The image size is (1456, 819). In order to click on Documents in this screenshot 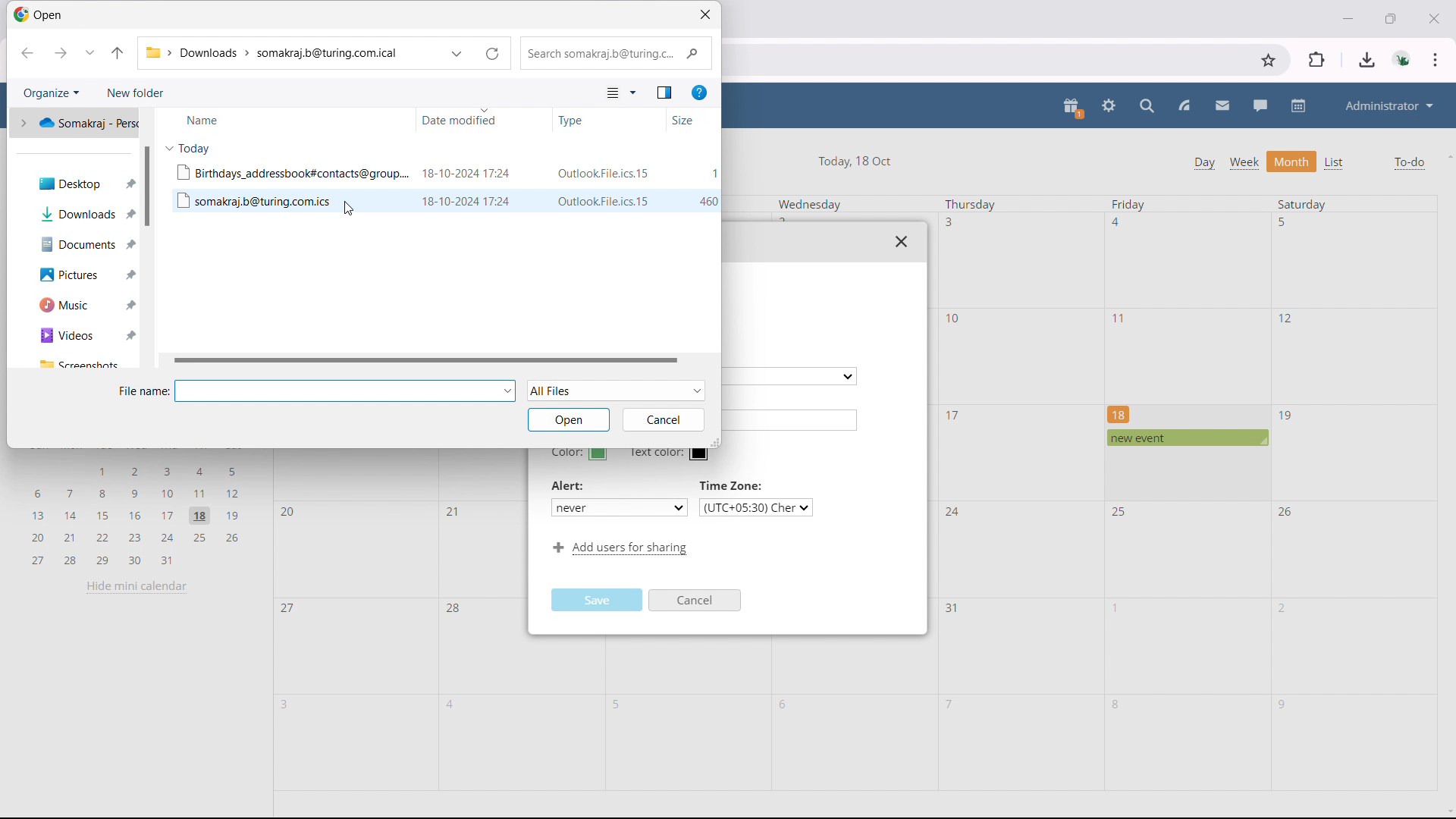, I will do `click(75, 245)`.